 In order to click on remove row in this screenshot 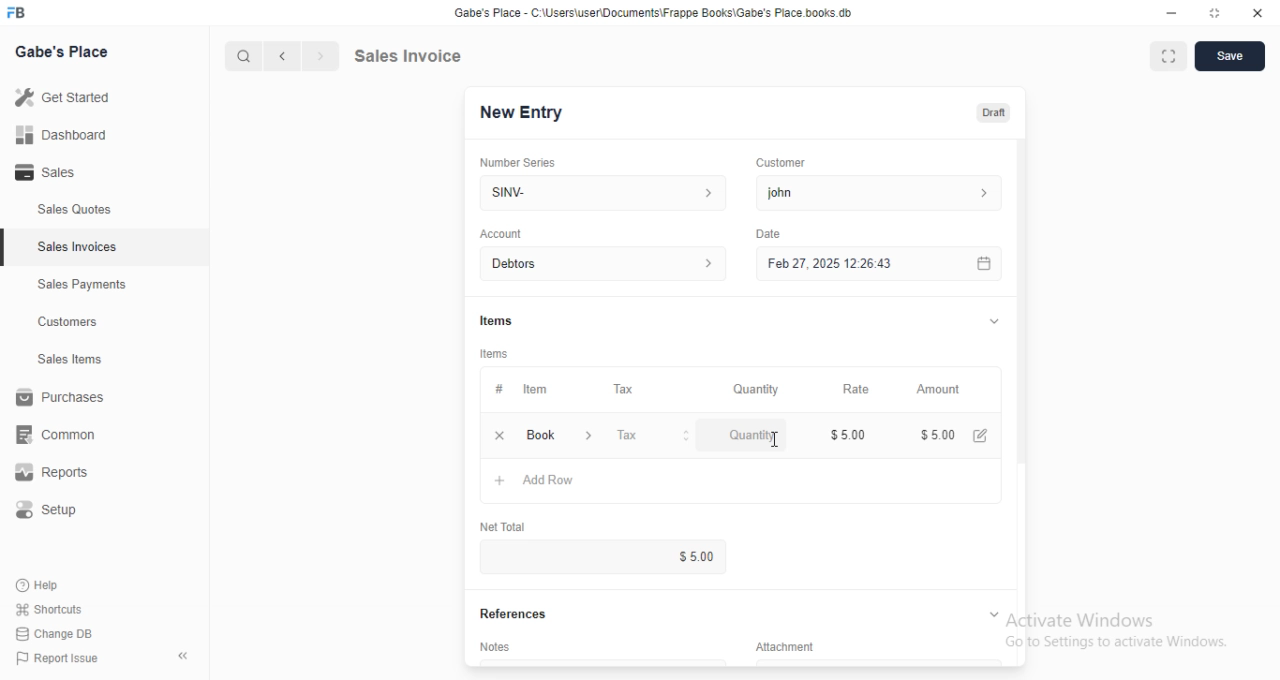, I will do `click(499, 435)`.